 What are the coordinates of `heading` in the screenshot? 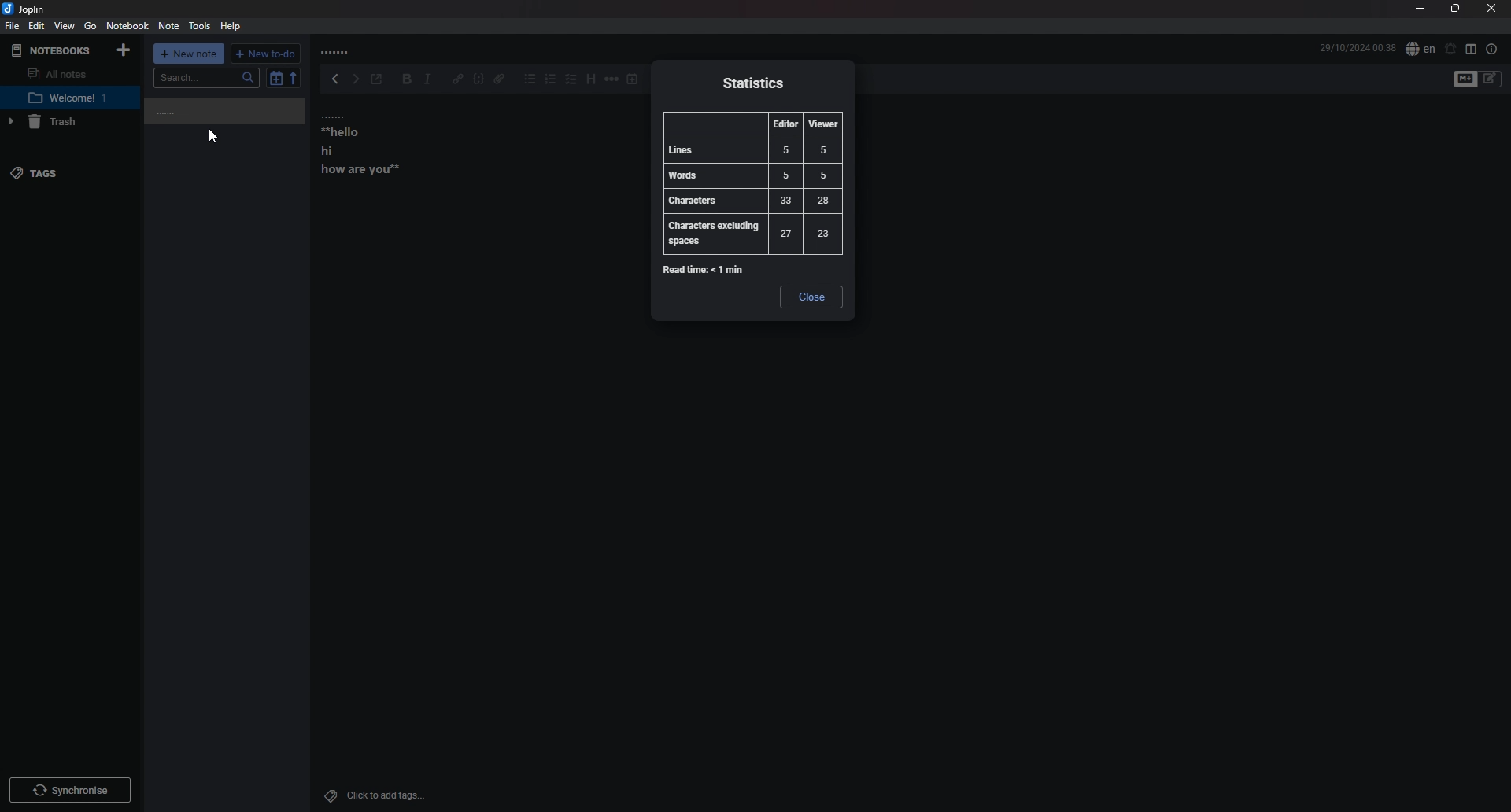 It's located at (590, 79).